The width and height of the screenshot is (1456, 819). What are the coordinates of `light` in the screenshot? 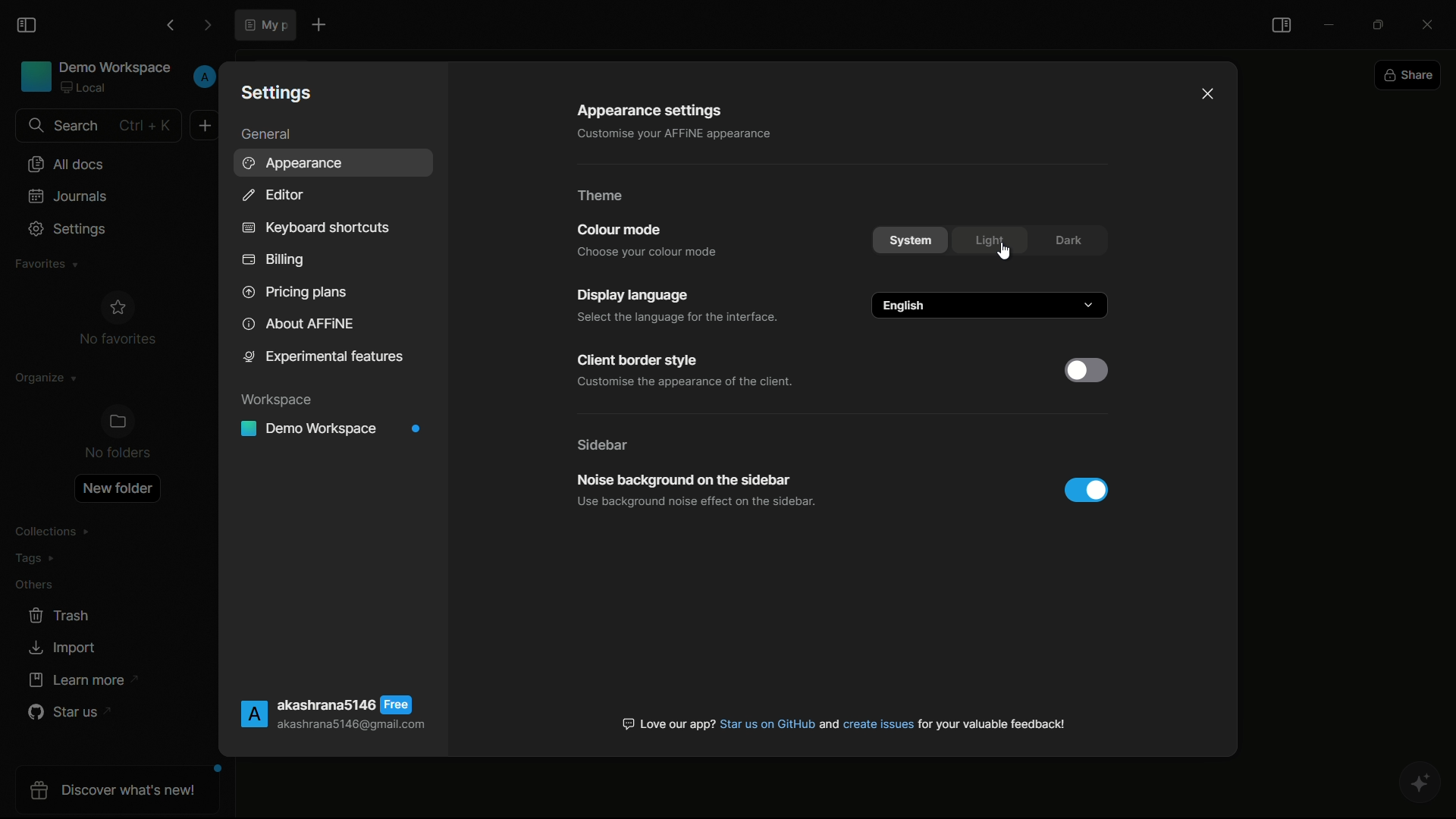 It's located at (990, 238).